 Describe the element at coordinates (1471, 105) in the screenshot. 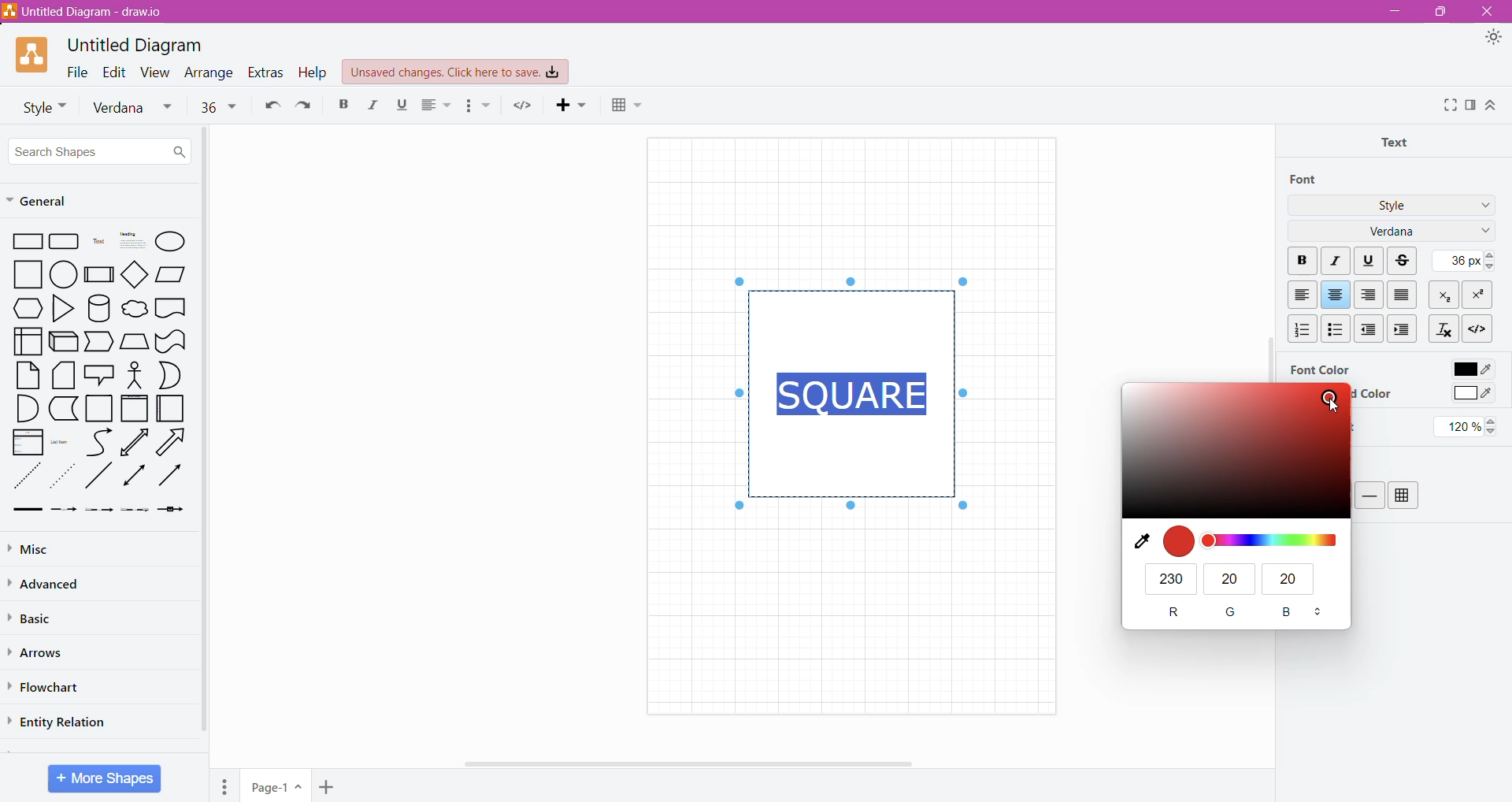

I see `Format` at that location.